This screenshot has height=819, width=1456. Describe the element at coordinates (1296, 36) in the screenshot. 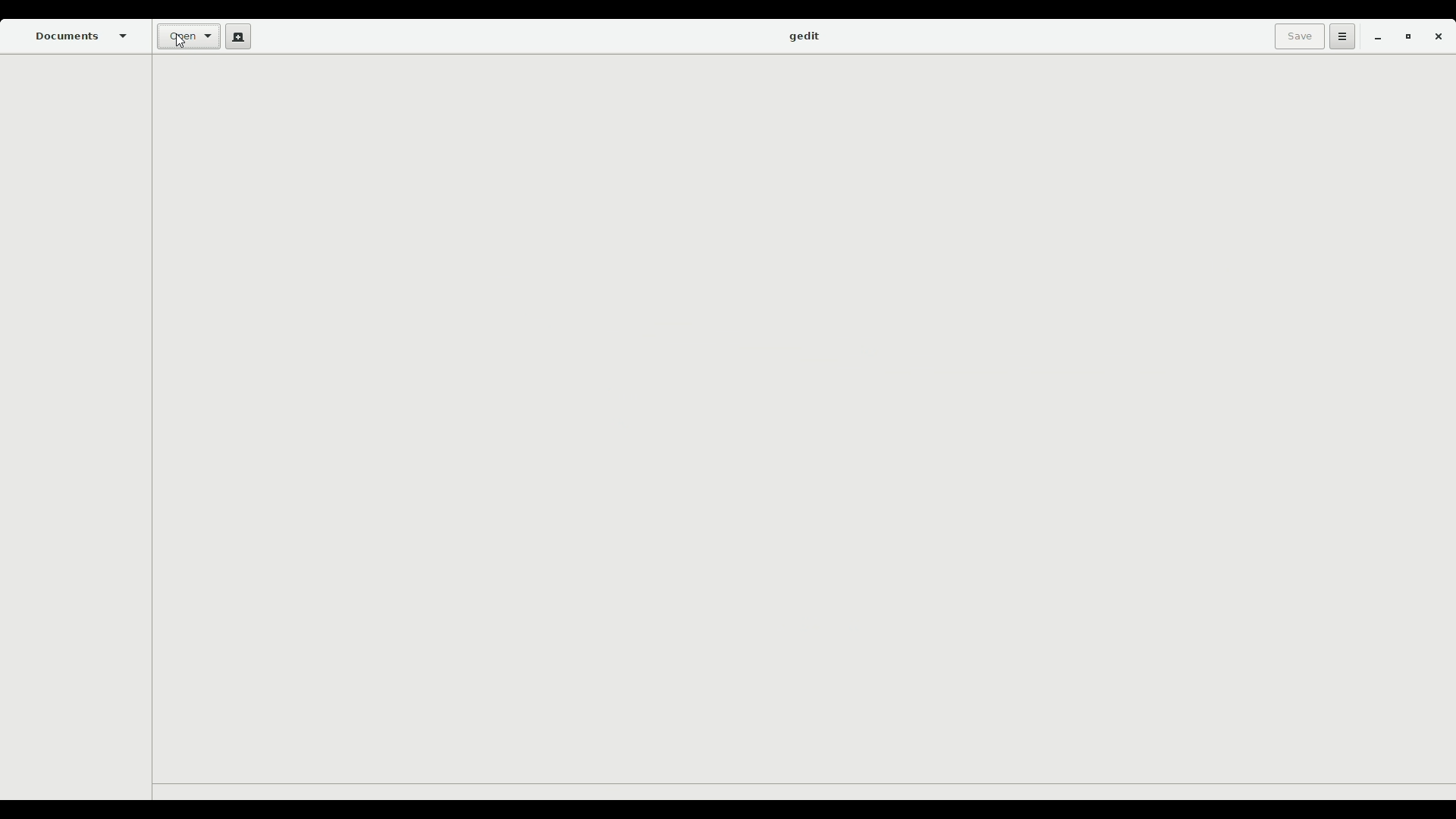

I see `Save` at that location.